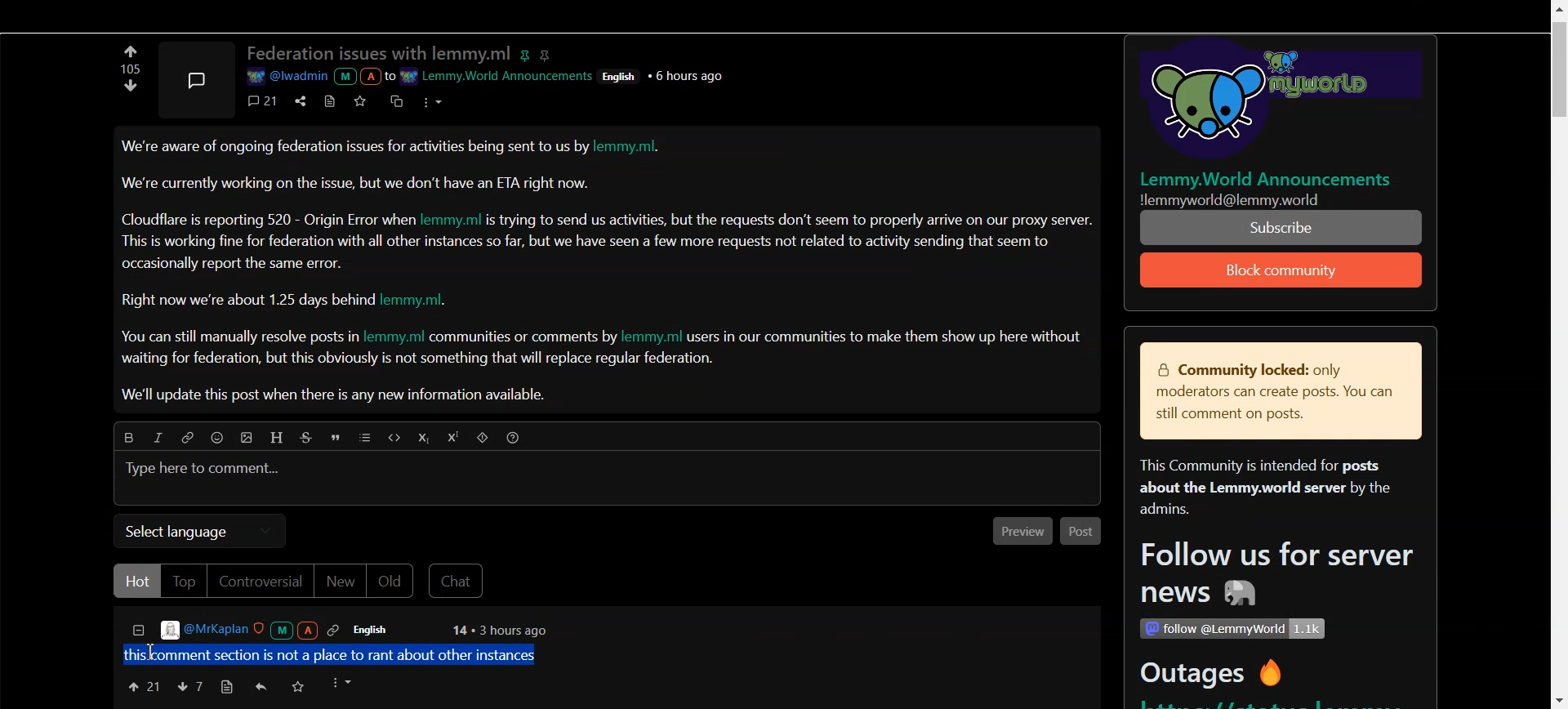  Describe the element at coordinates (422, 439) in the screenshot. I see `Subscript` at that location.